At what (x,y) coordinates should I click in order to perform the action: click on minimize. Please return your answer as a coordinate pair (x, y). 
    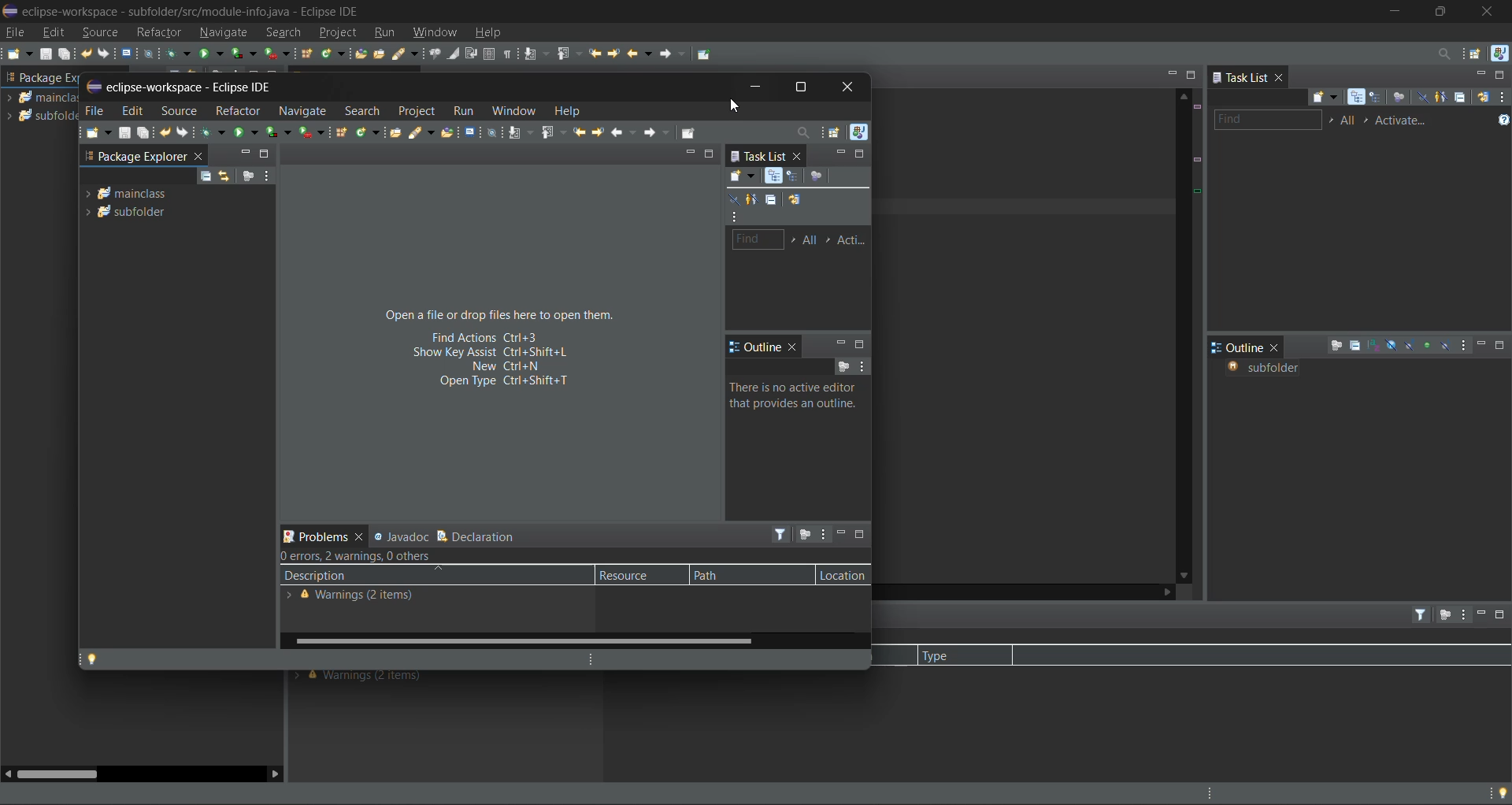
    Looking at the image, I should click on (1395, 13).